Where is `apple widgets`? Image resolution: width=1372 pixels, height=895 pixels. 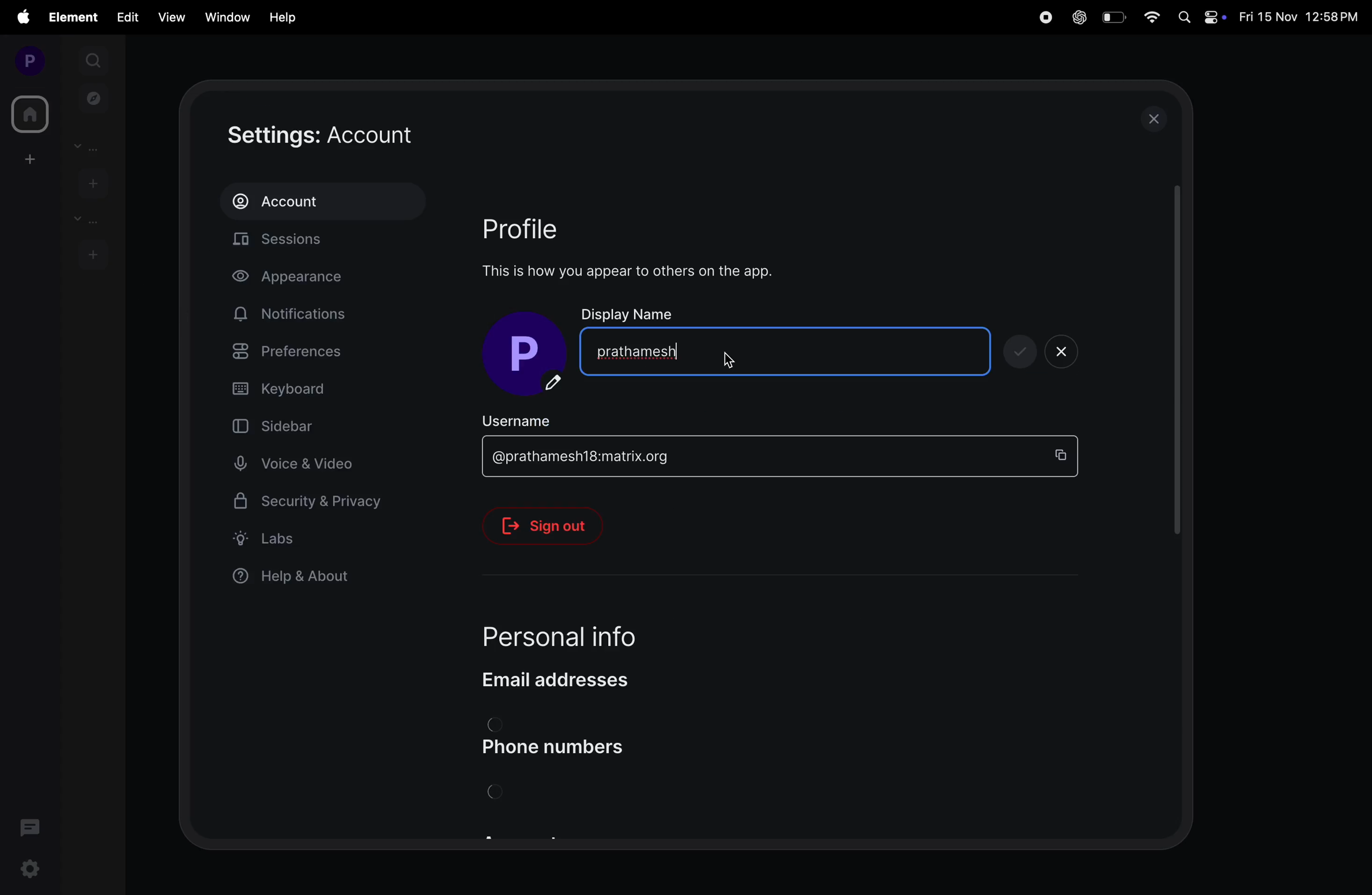
apple widgets is located at coordinates (1201, 16).